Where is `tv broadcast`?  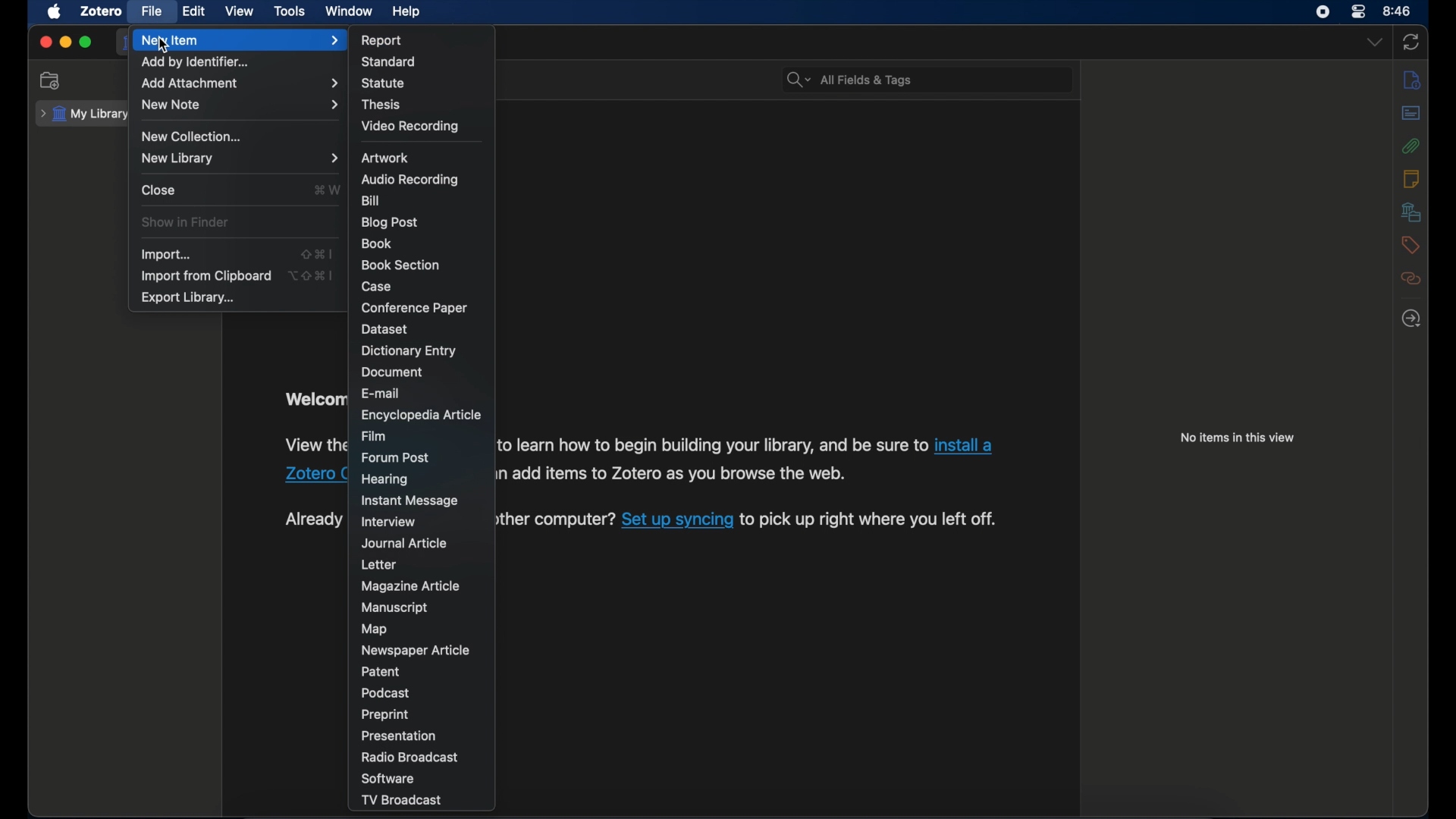 tv broadcast is located at coordinates (400, 801).